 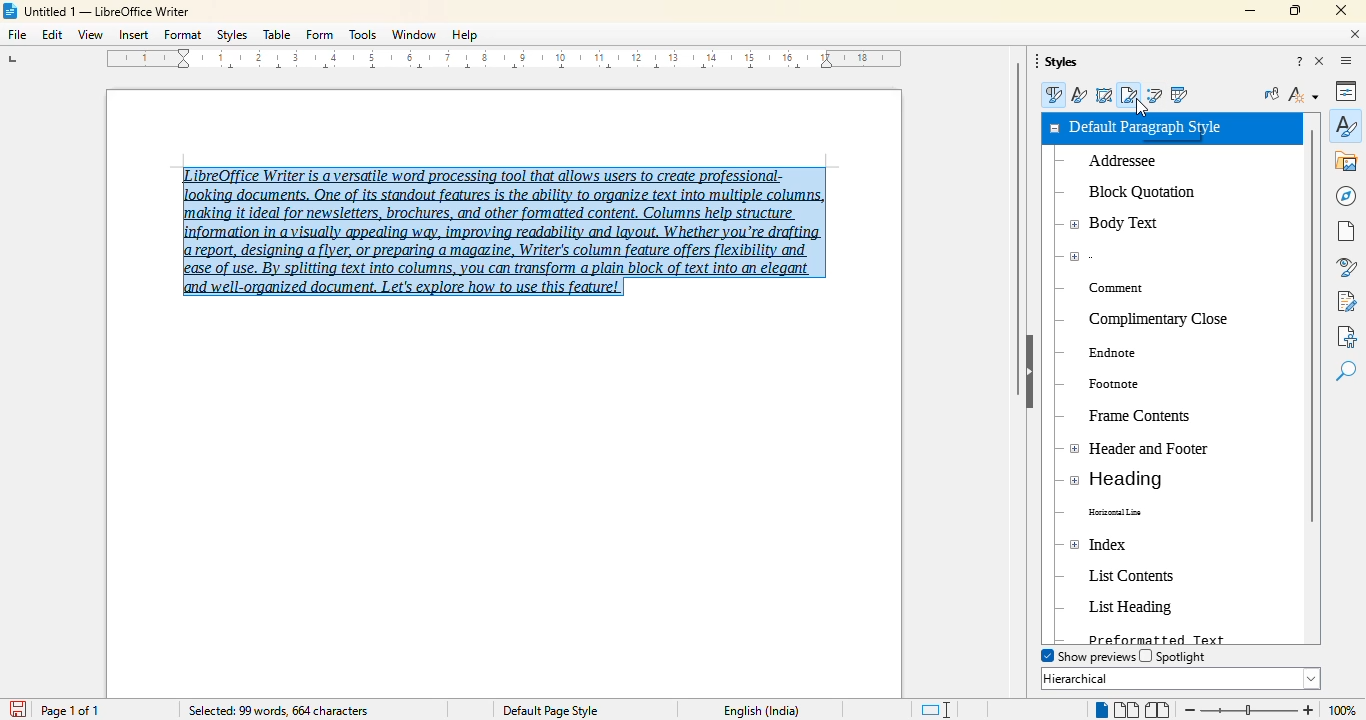 I want to click on edit, so click(x=53, y=35).